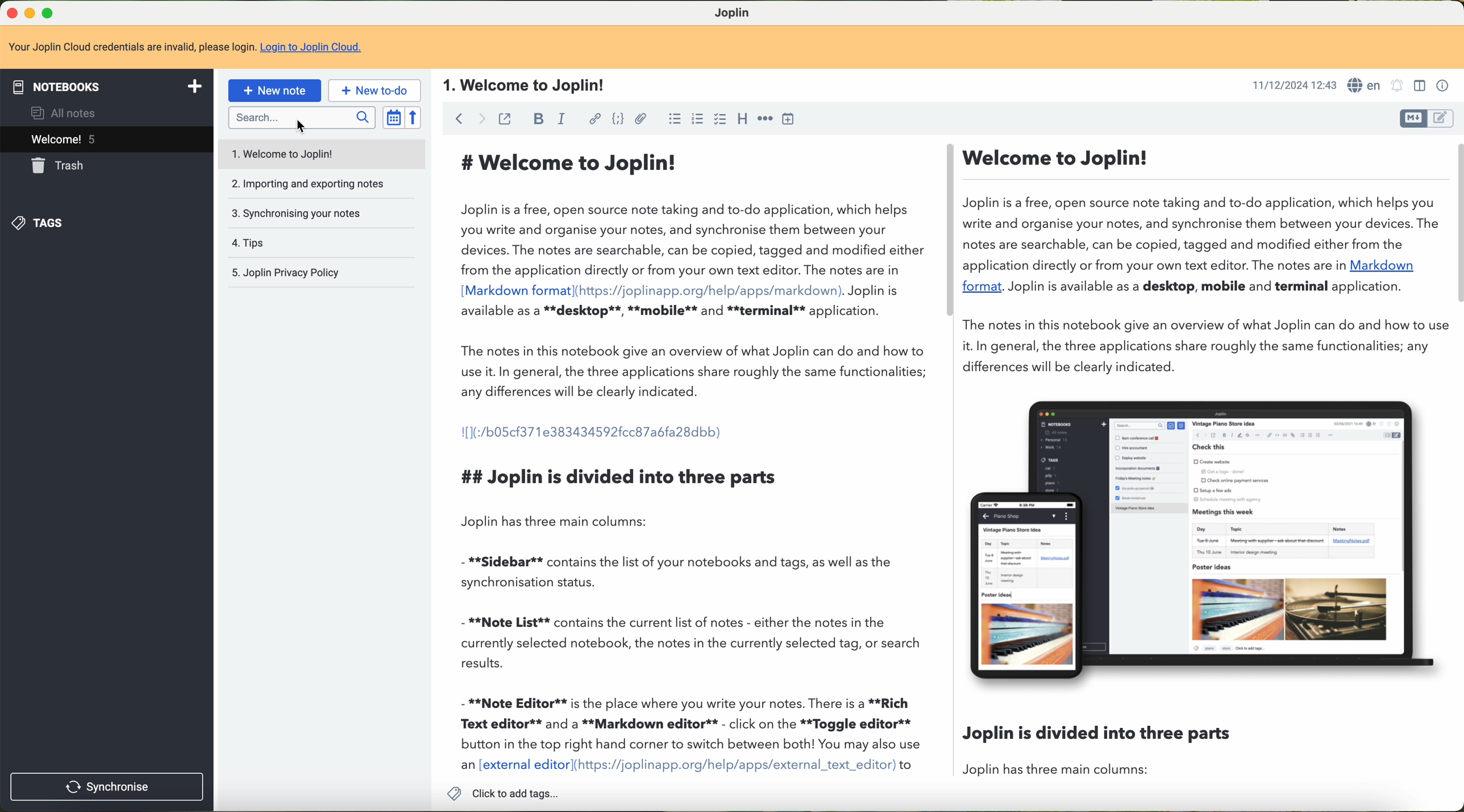 This screenshot has width=1464, height=812. I want to click on navigate foward arrow, so click(479, 118).